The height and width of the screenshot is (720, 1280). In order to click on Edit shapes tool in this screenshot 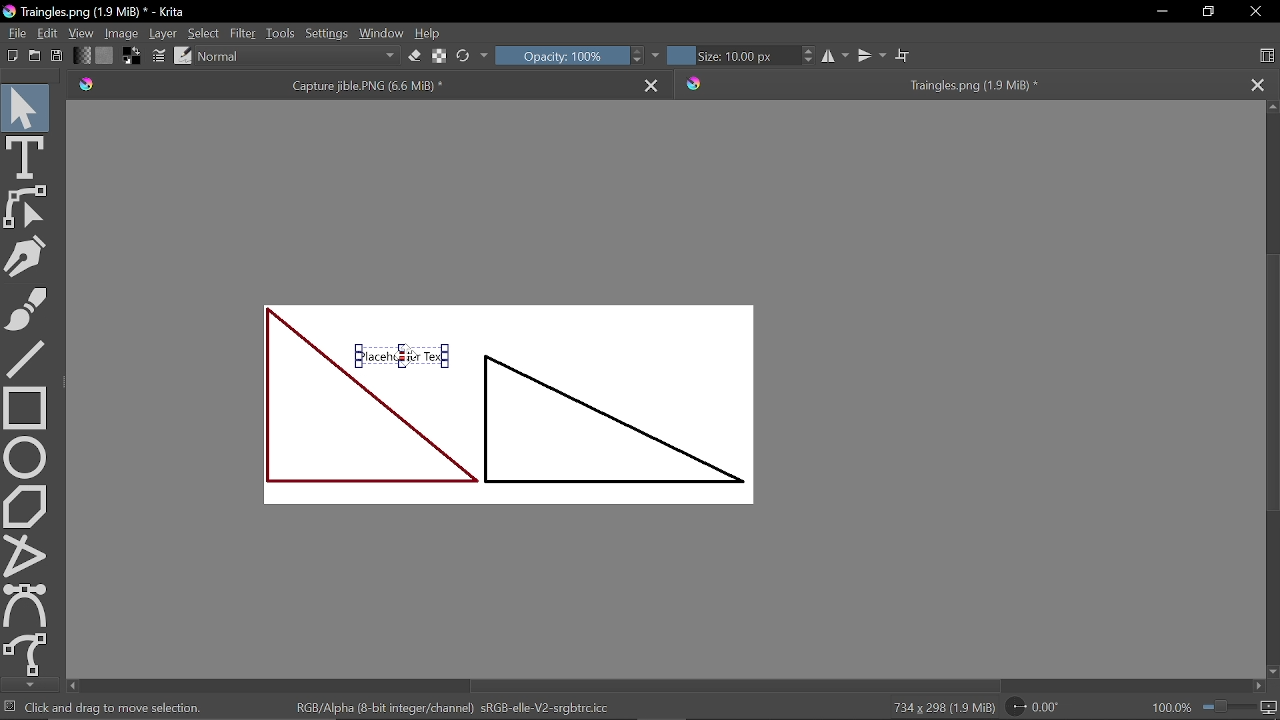, I will do `click(28, 209)`.